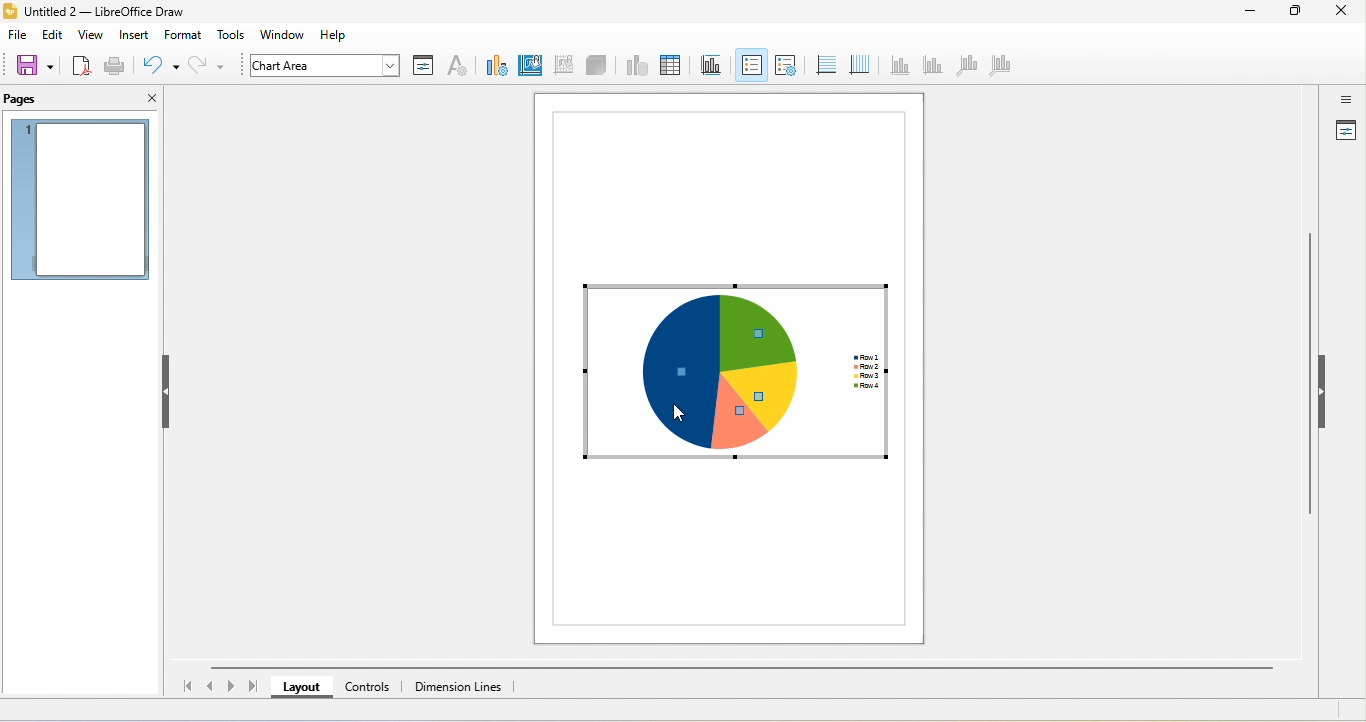 The width and height of the screenshot is (1366, 722). Describe the element at coordinates (34, 65) in the screenshot. I see `save` at that location.